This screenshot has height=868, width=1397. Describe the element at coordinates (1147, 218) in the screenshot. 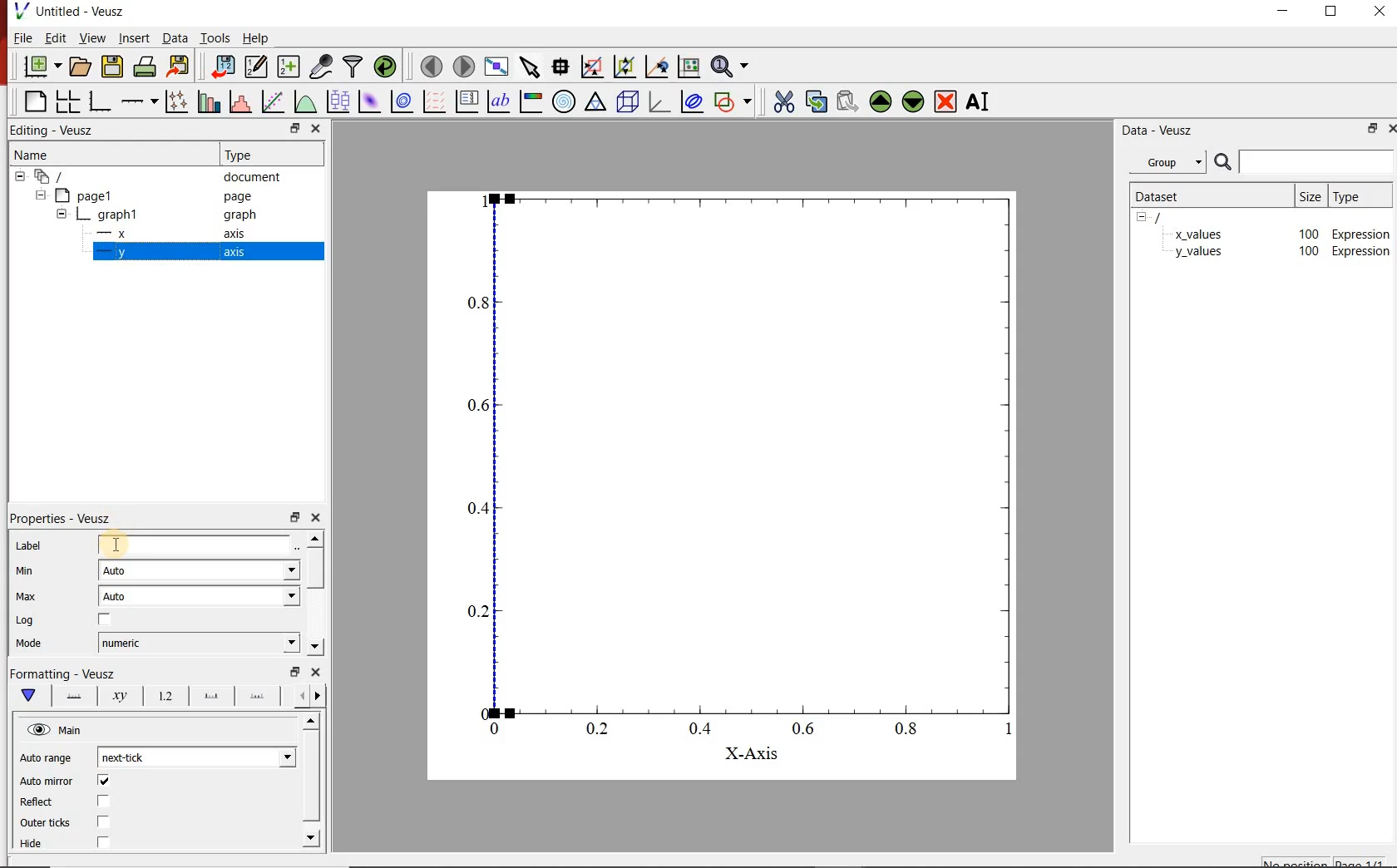

I see `hide` at that location.